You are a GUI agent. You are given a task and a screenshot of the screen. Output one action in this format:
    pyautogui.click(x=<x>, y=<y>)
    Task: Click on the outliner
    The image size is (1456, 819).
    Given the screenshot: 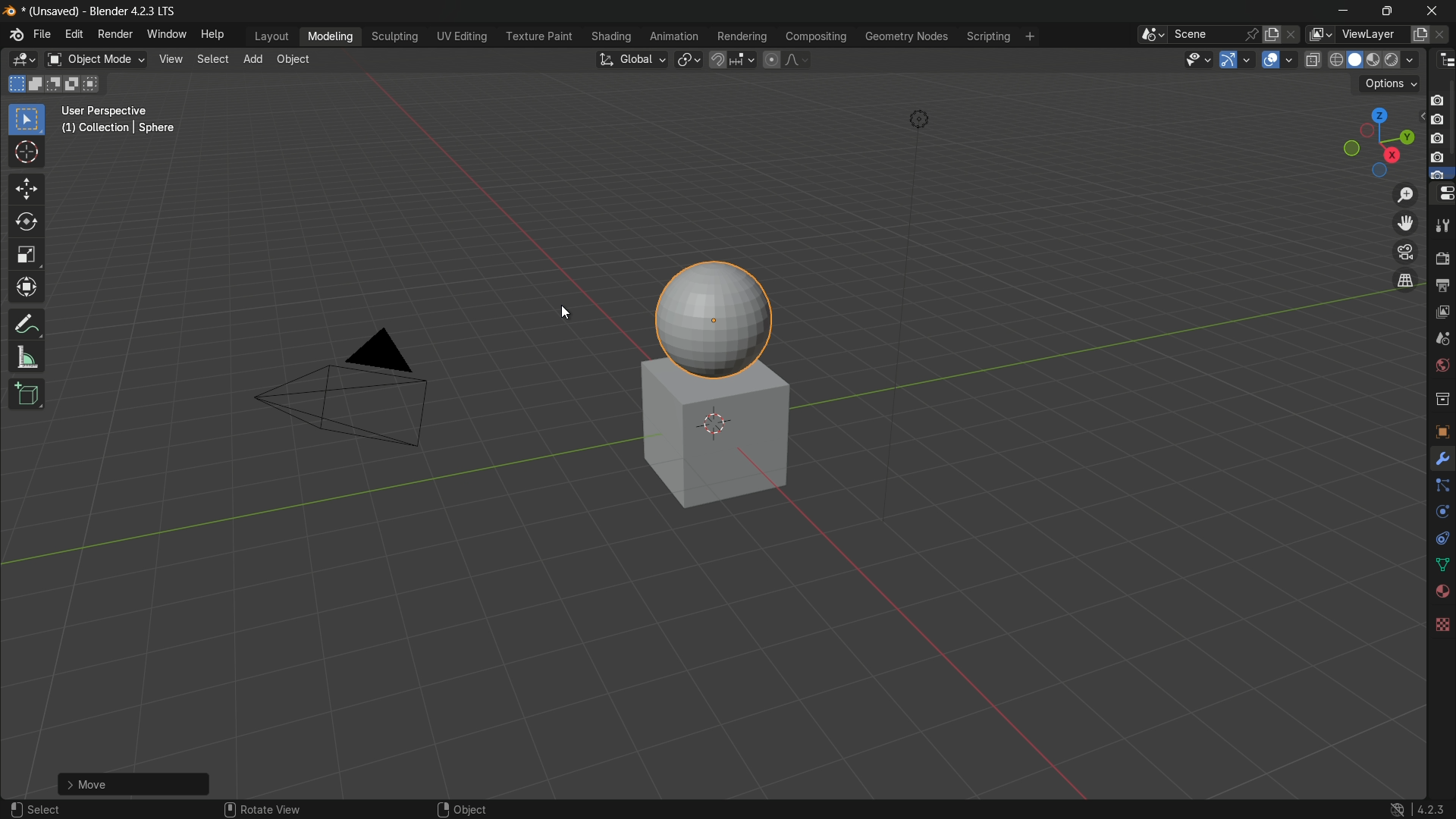 What is the action you would take?
    pyautogui.click(x=1441, y=61)
    